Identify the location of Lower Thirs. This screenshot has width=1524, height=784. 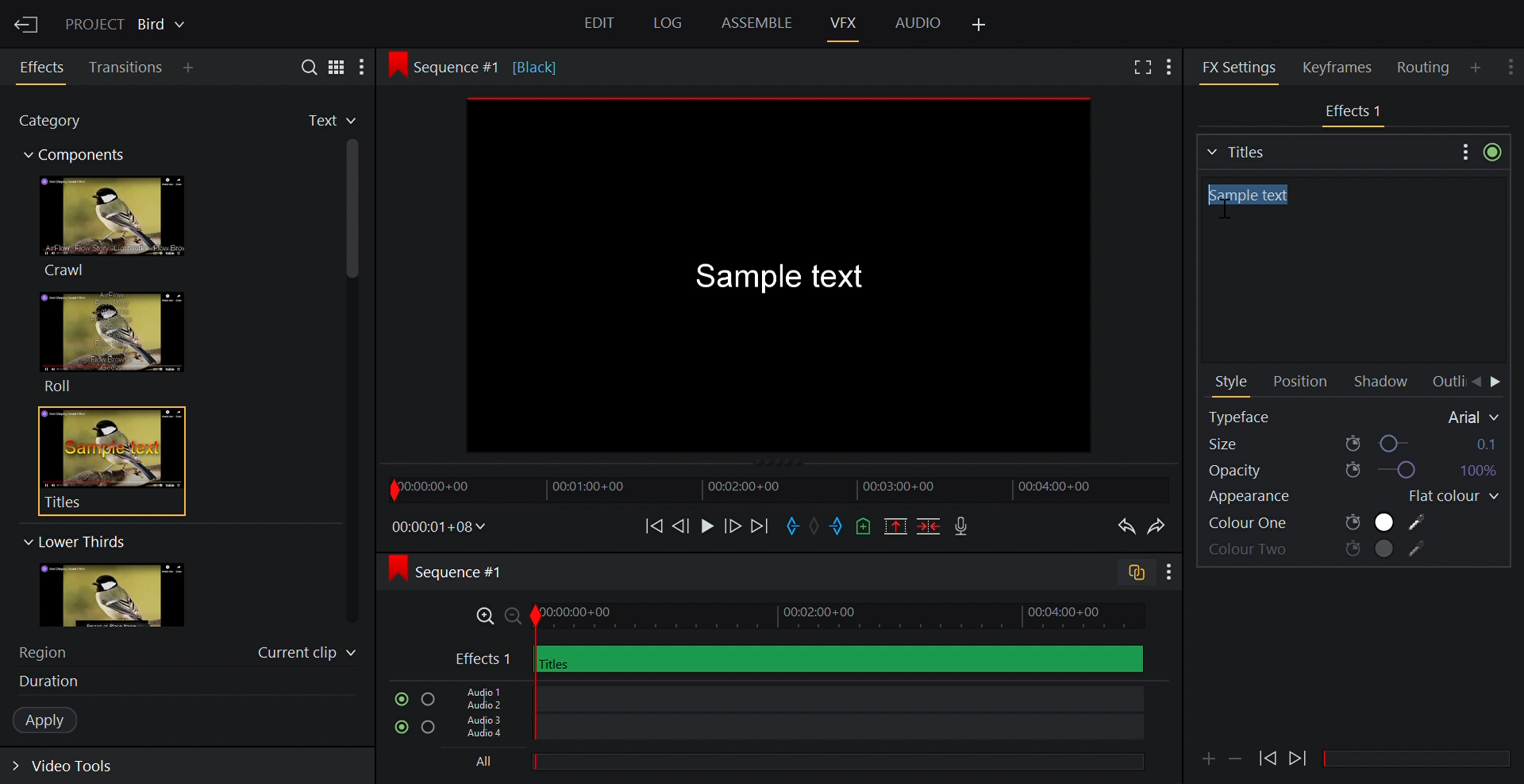
(73, 541).